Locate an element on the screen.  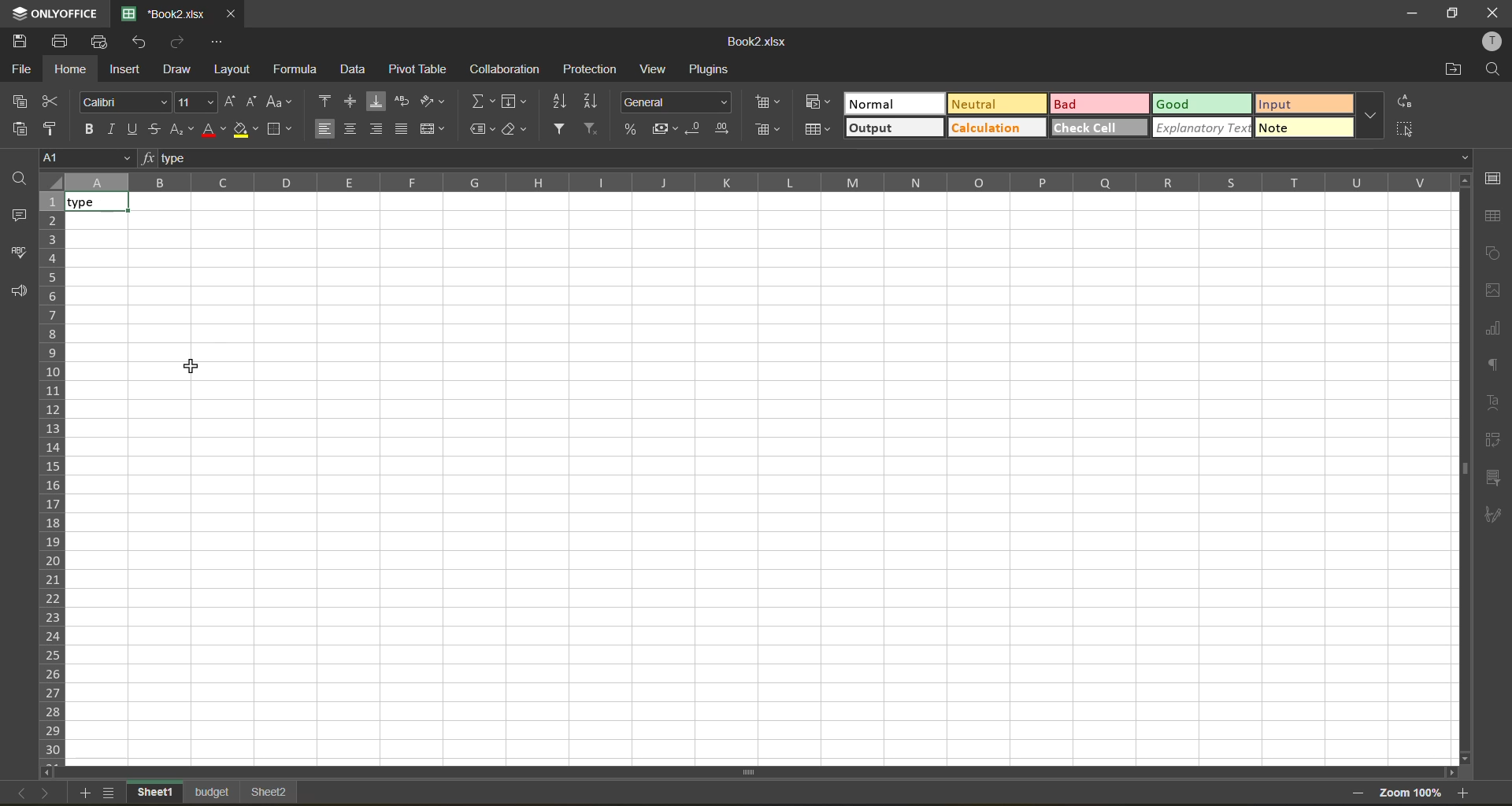
app name is located at coordinates (50, 13).